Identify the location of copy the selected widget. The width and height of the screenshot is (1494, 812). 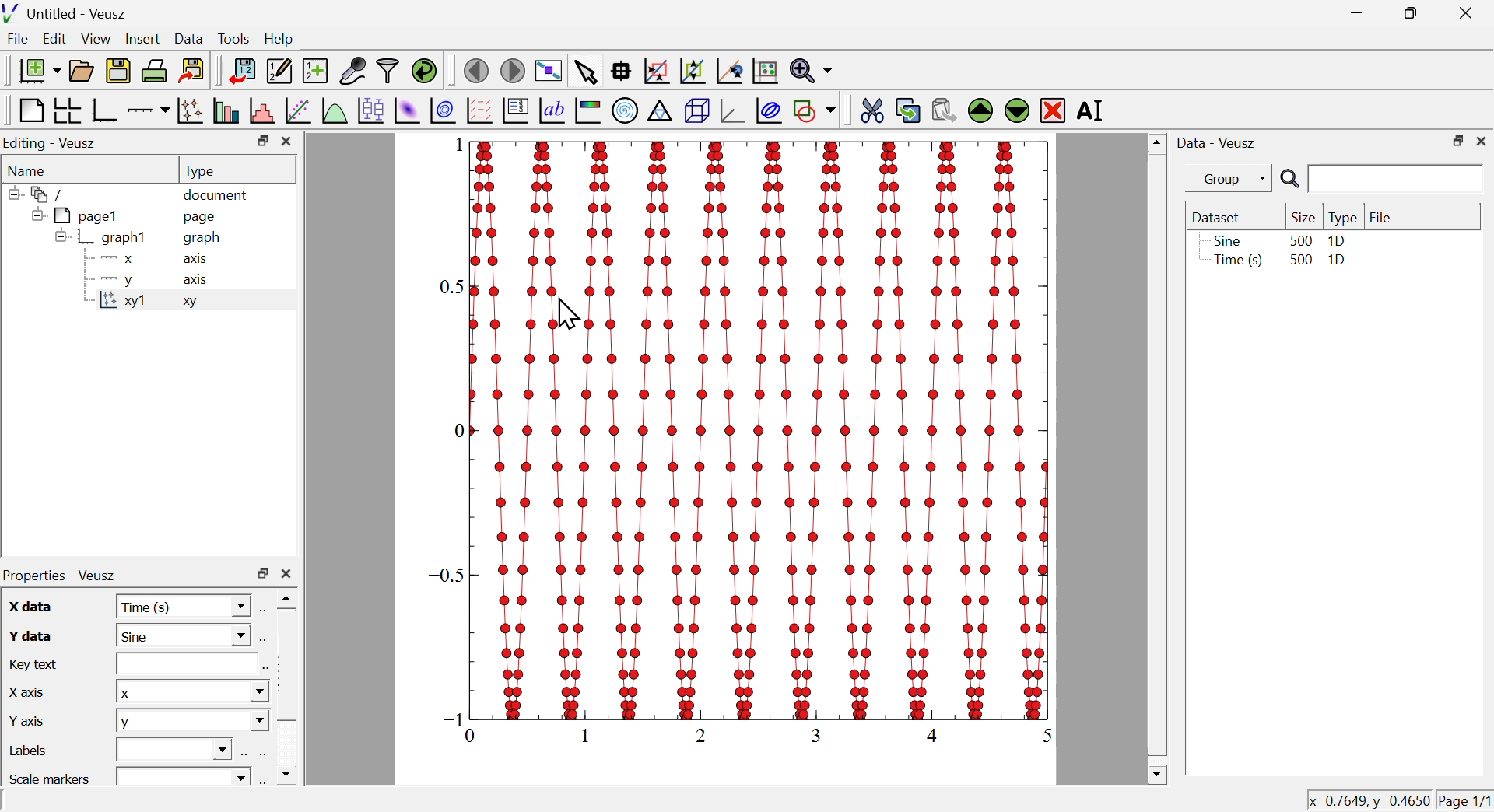
(908, 109).